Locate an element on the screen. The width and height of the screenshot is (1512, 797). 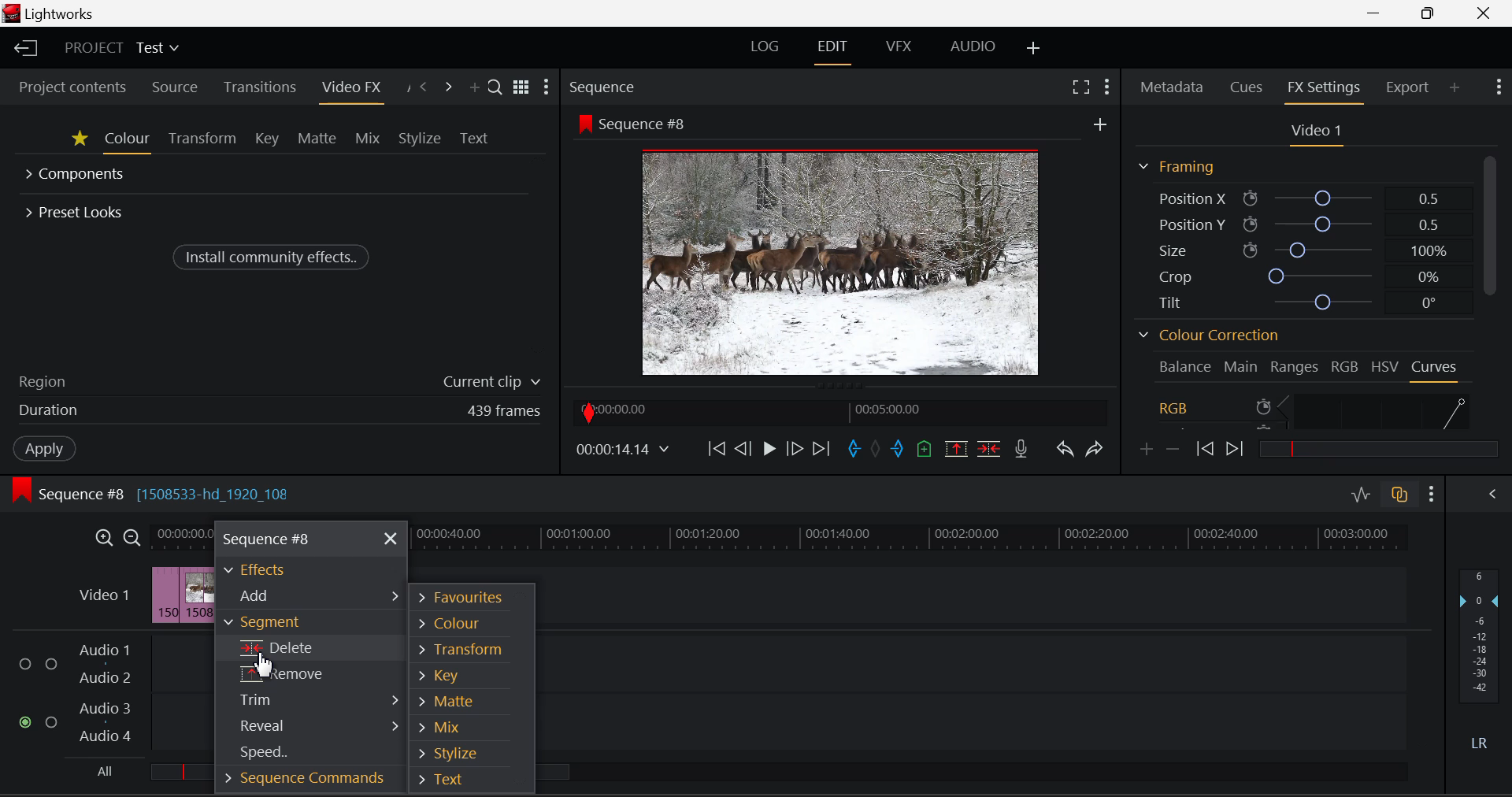
Show Settings is located at coordinates (1110, 86).